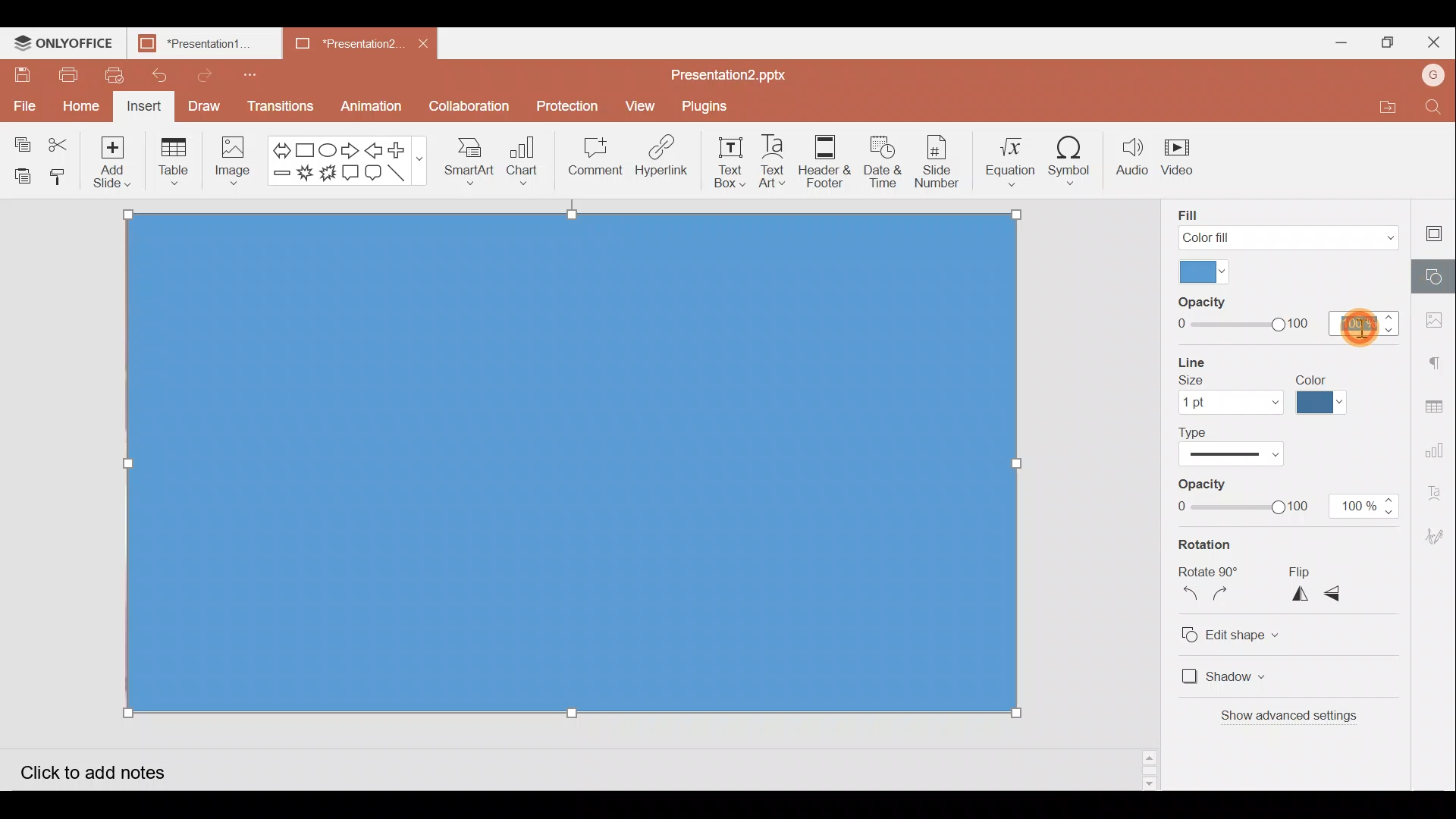  Describe the element at coordinates (1228, 598) in the screenshot. I see `Rotate 90 degrees clockwise` at that location.